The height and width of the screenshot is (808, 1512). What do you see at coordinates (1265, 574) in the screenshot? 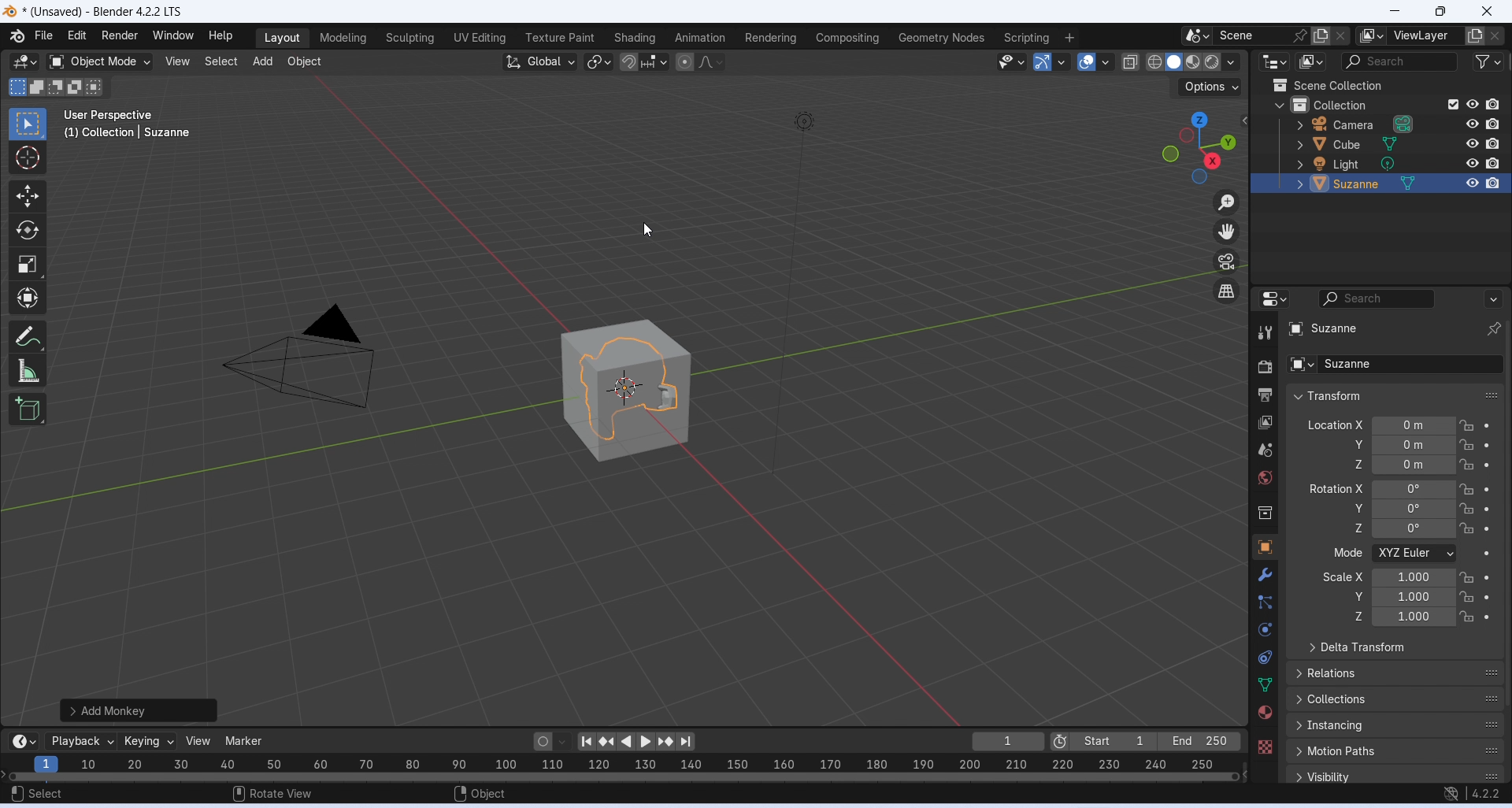
I see `modifier` at bounding box center [1265, 574].